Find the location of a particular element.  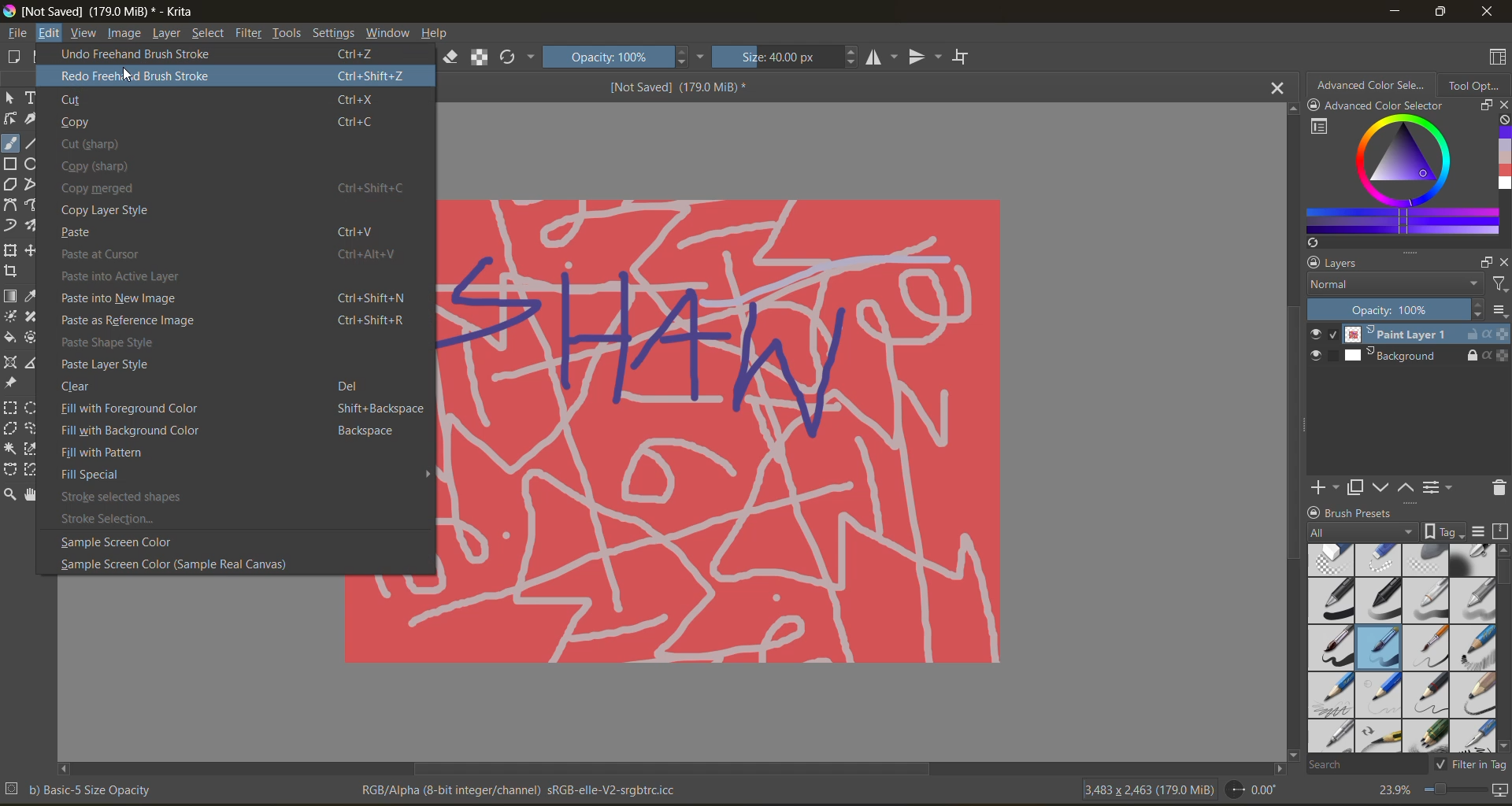

lock docker is located at coordinates (1312, 264).